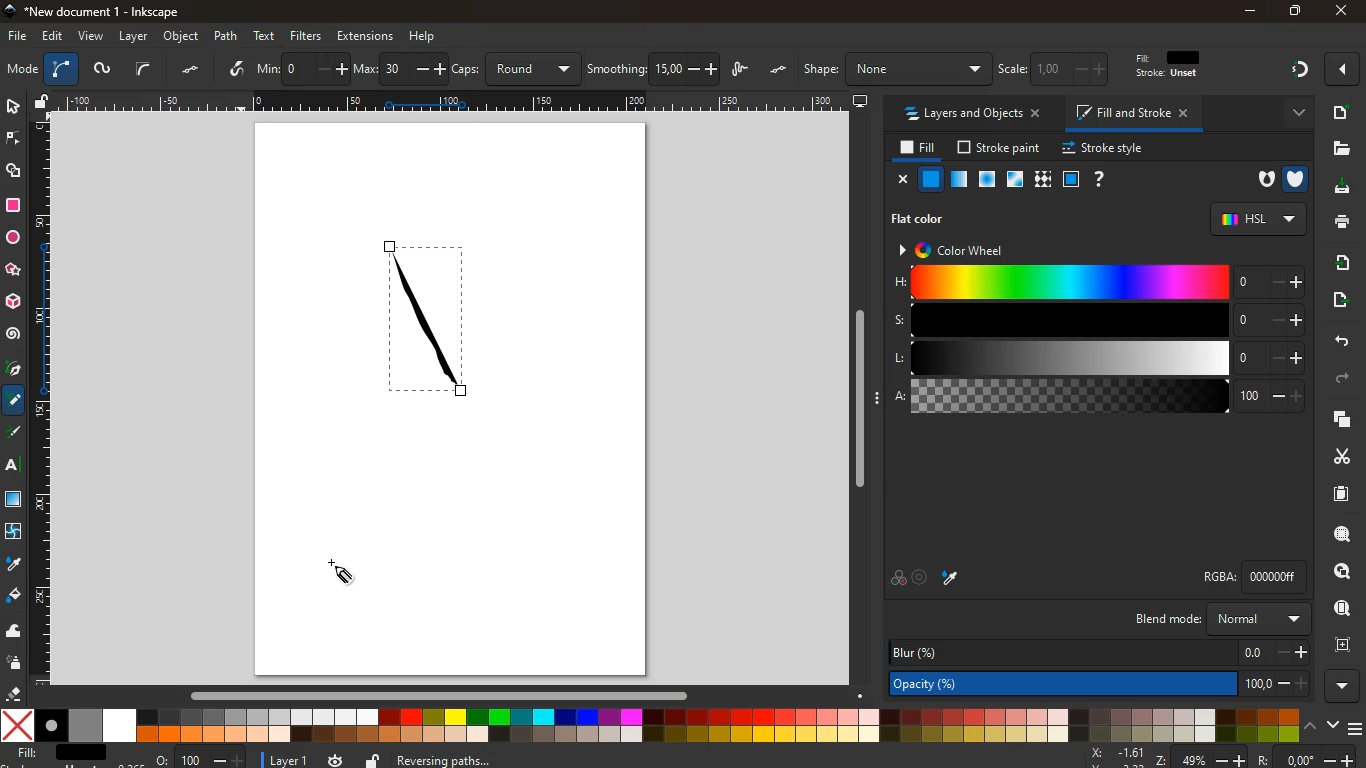 This screenshot has height=768, width=1366. I want to click on opacity, so click(1100, 685).